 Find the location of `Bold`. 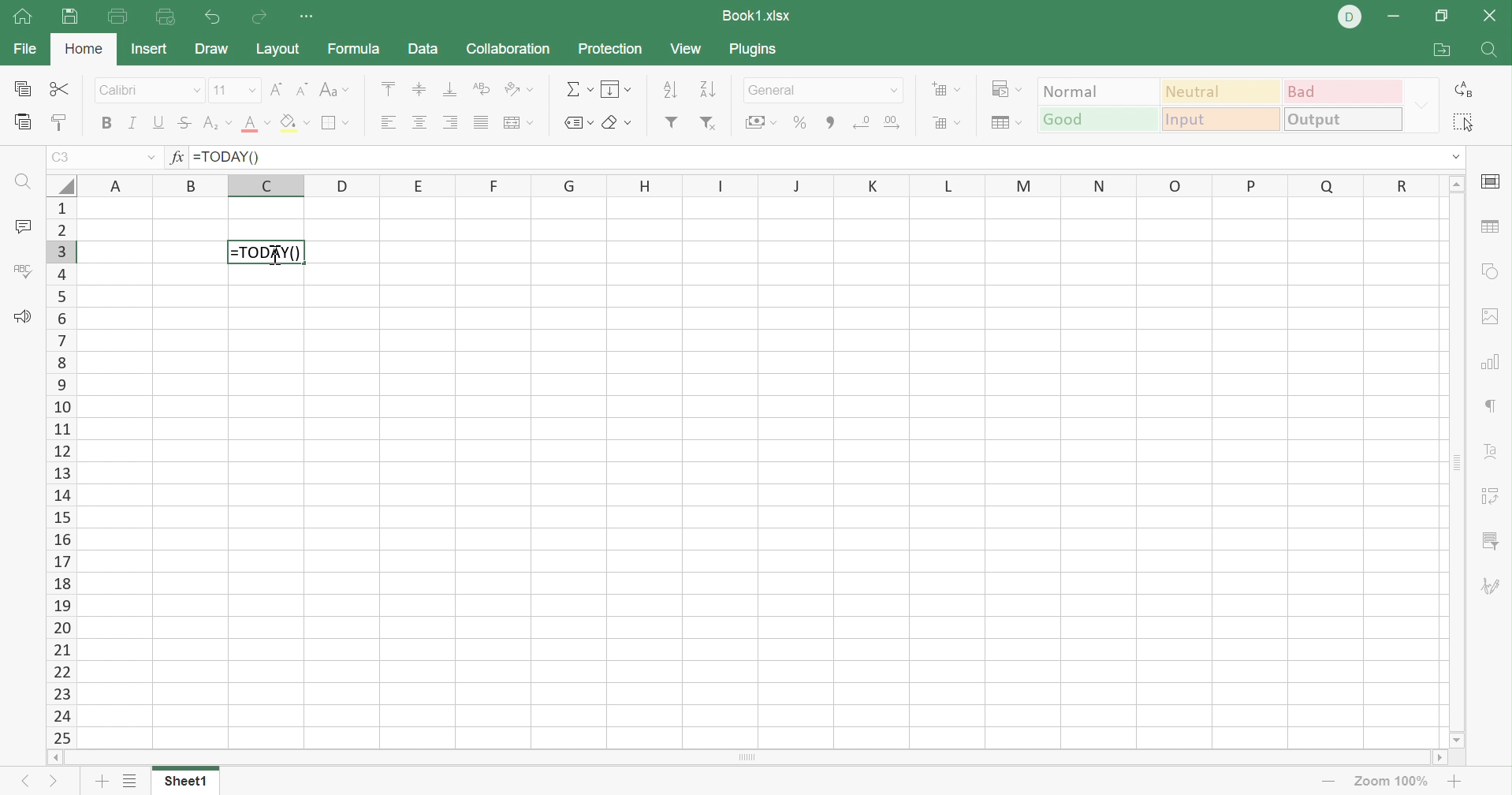

Bold is located at coordinates (105, 124).